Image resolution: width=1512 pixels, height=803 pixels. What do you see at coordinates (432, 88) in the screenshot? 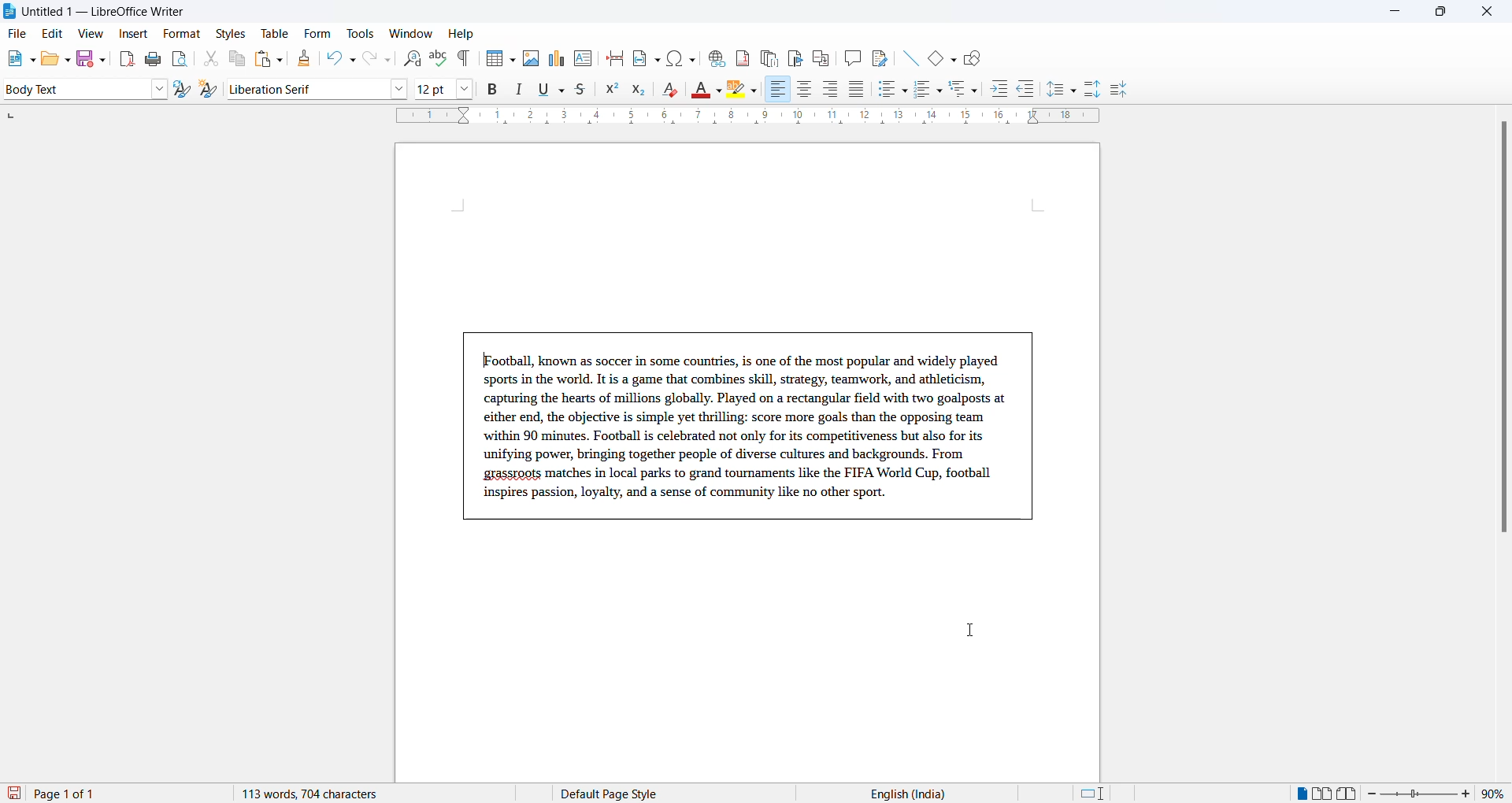
I see `font size` at bounding box center [432, 88].